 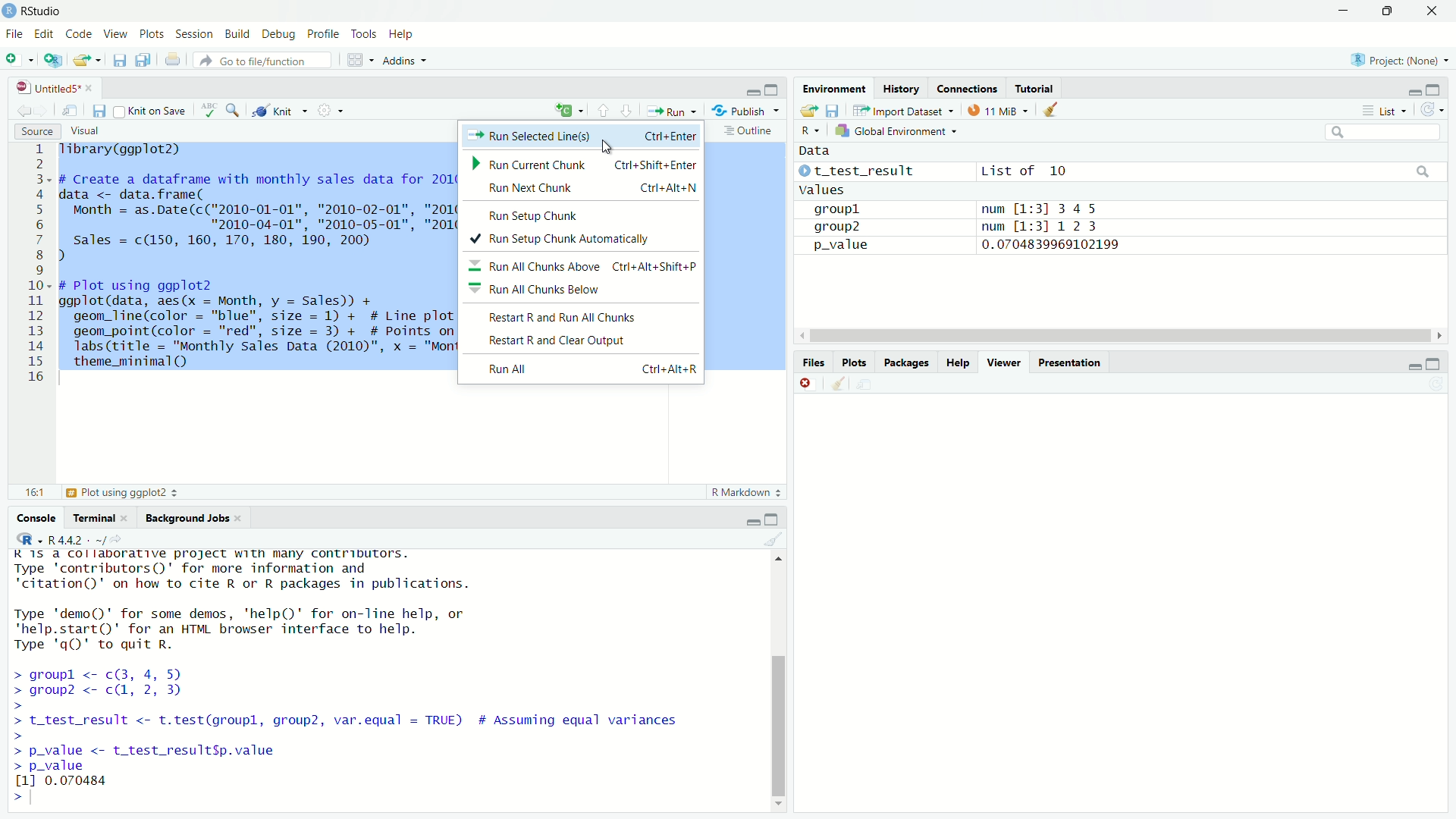 What do you see at coordinates (584, 266) in the screenshot?
I see `= Run All Chunks Above ~ Ctrl+Alt+Shift+P` at bounding box center [584, 266].